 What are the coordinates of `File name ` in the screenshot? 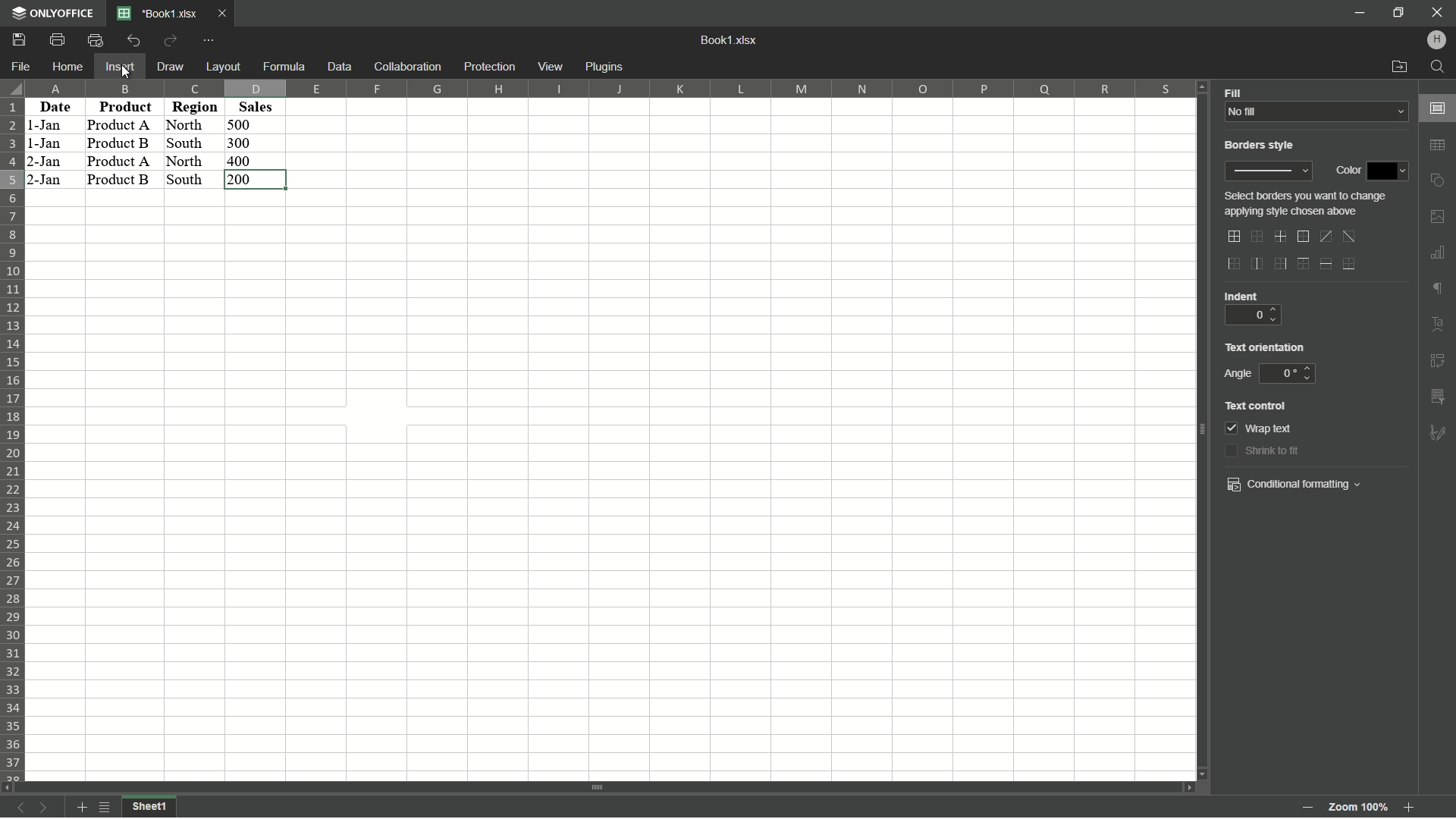 It's located at (159, 14).